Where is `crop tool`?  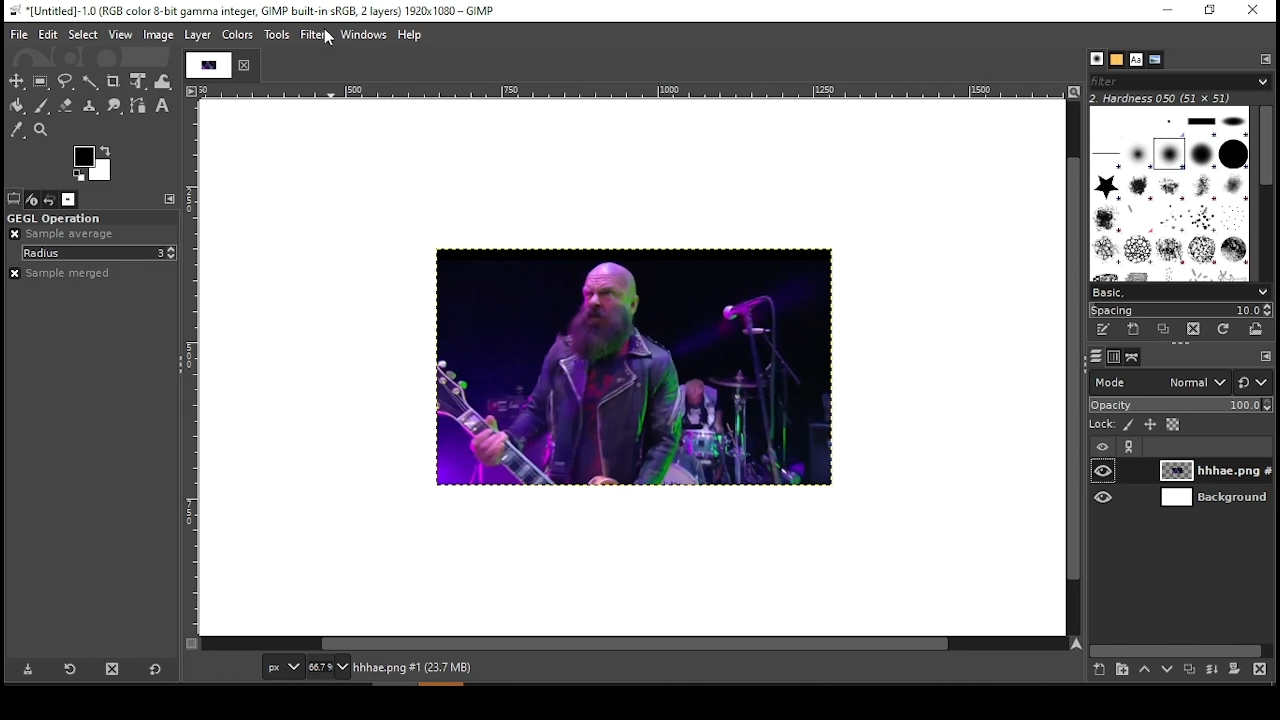
crop tool is located at coordinates (114, 81).